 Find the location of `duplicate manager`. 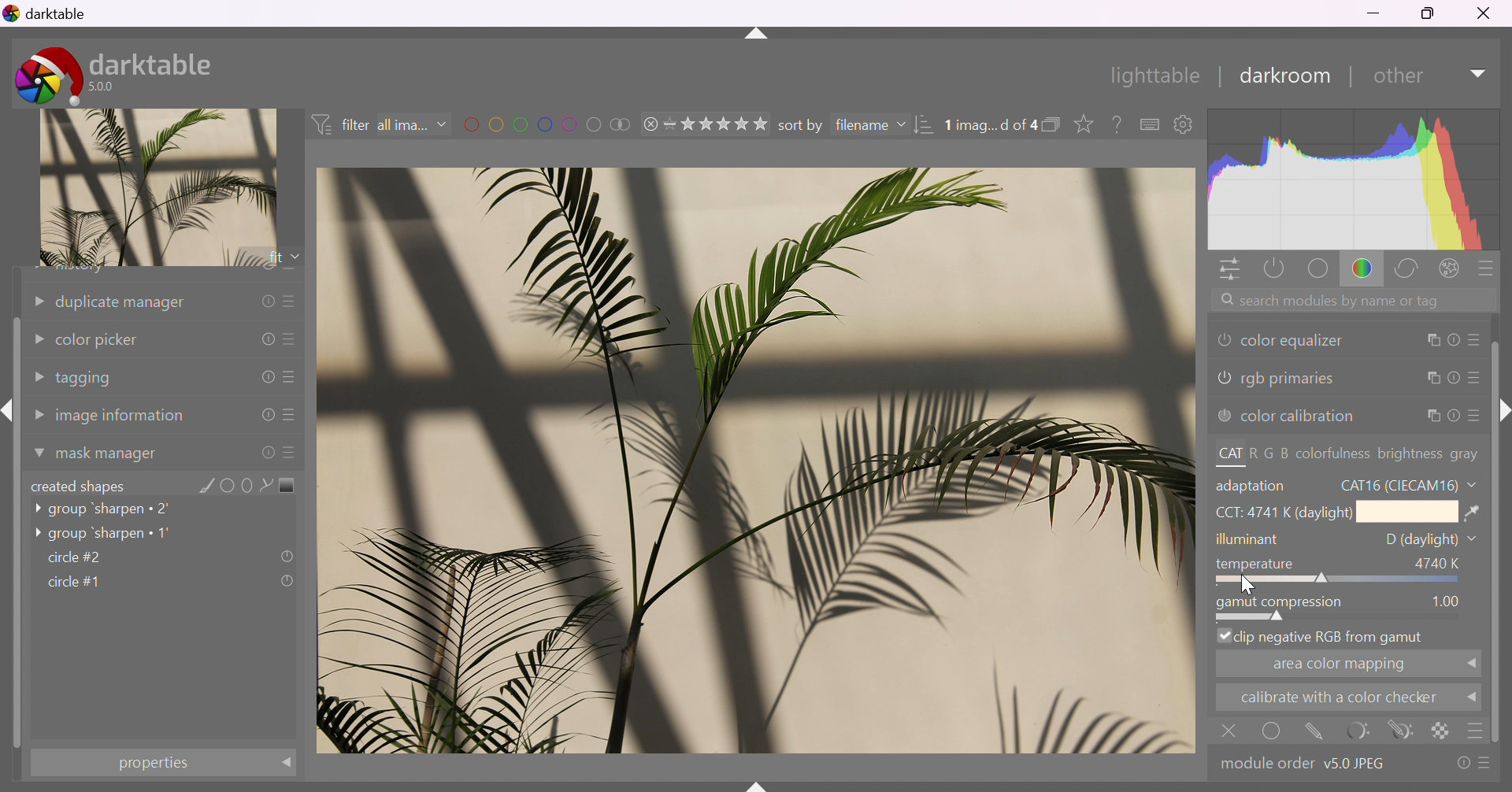

duplicate manager is located at coordinates (162, 304).